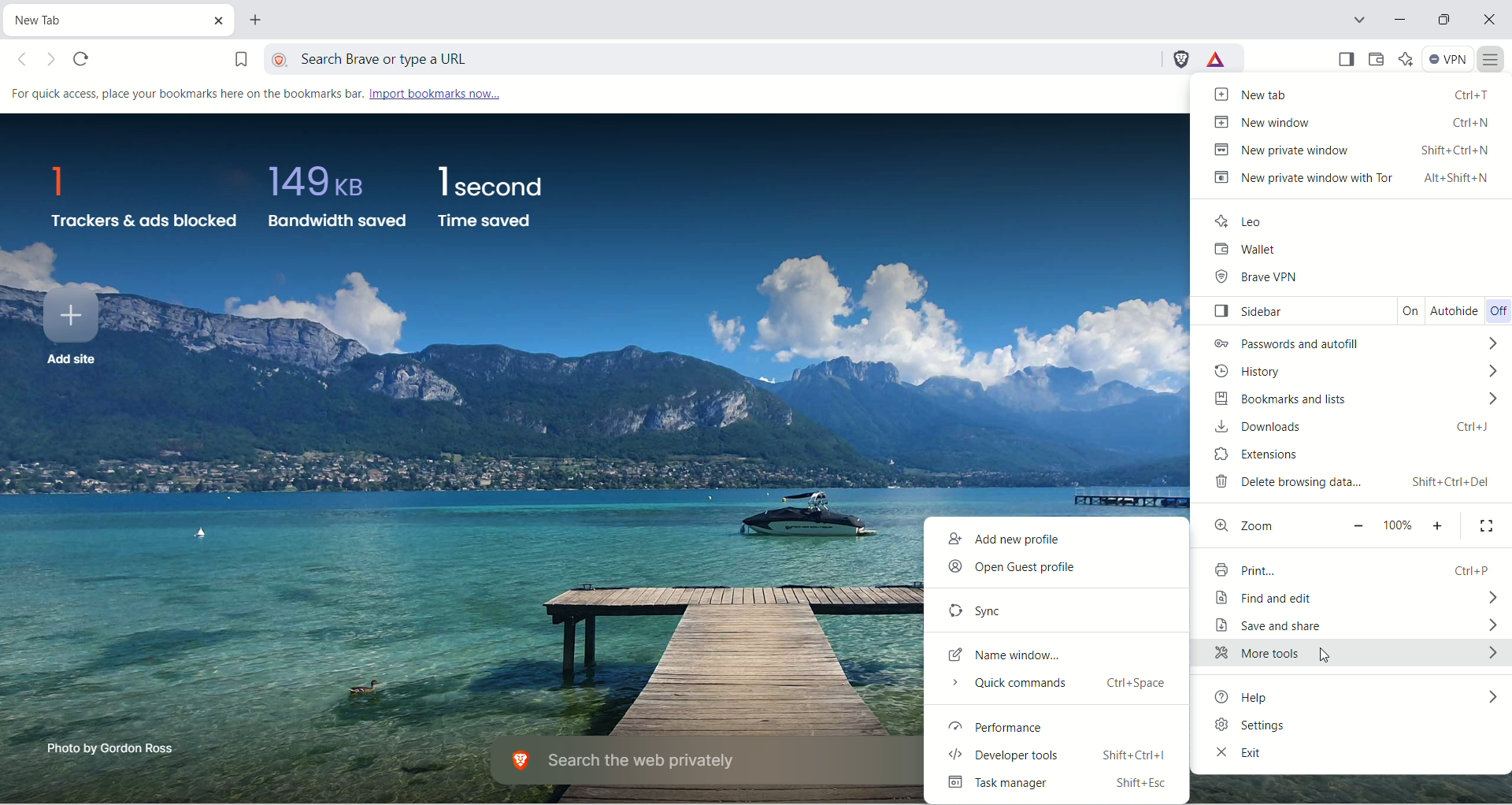 The image size is (1512, 805). I want to click on Brave shield, so click(1180, 59).